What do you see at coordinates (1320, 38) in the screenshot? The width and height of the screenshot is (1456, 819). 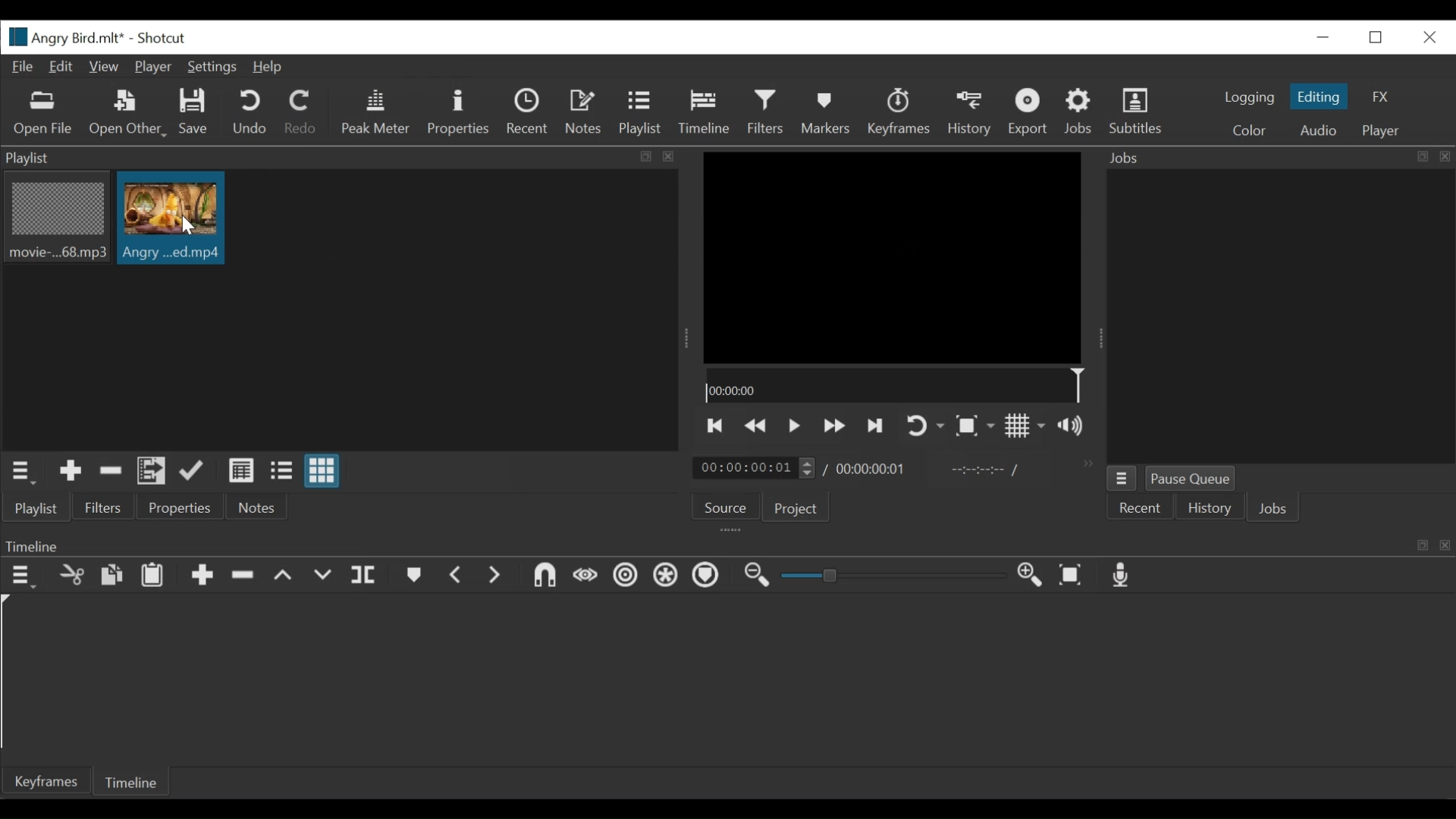 I see `minimize` at bounding box center [1320, 38].